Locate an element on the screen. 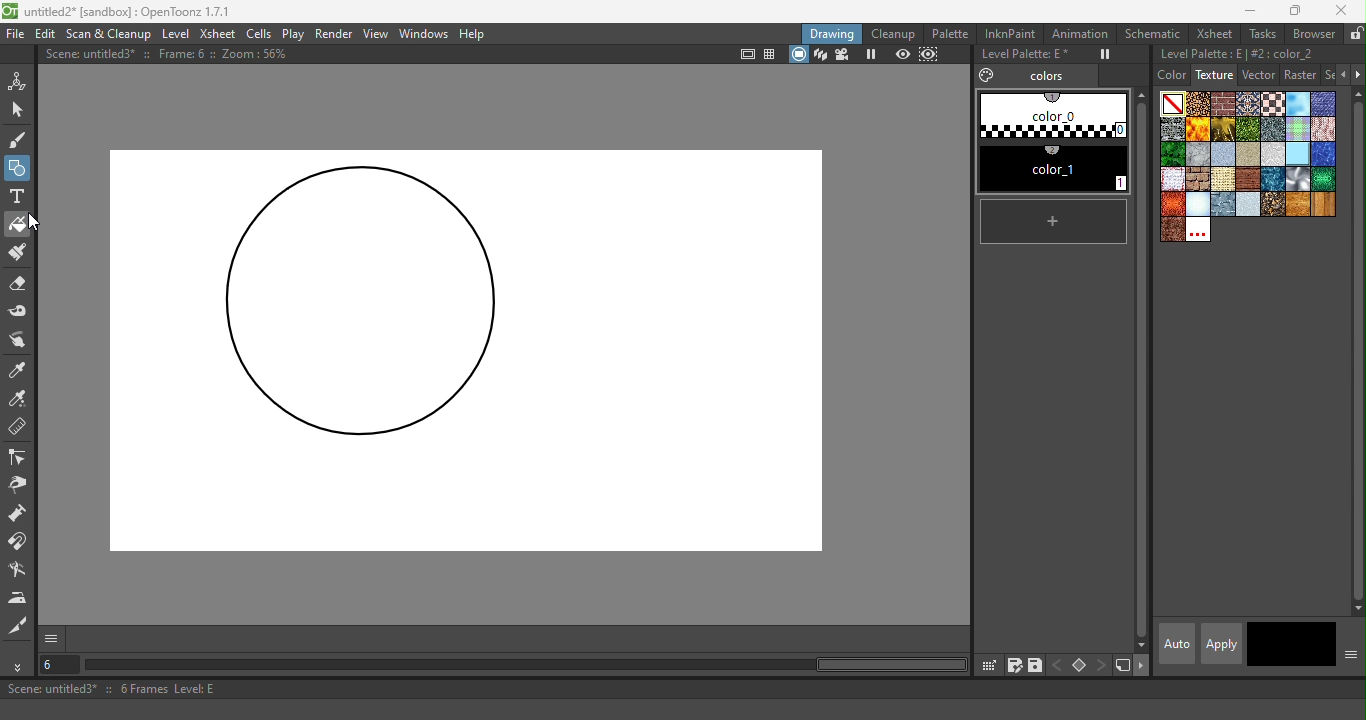 This screenshot has width=1366, height=720. Browser is located at coordinates (1312, 35).